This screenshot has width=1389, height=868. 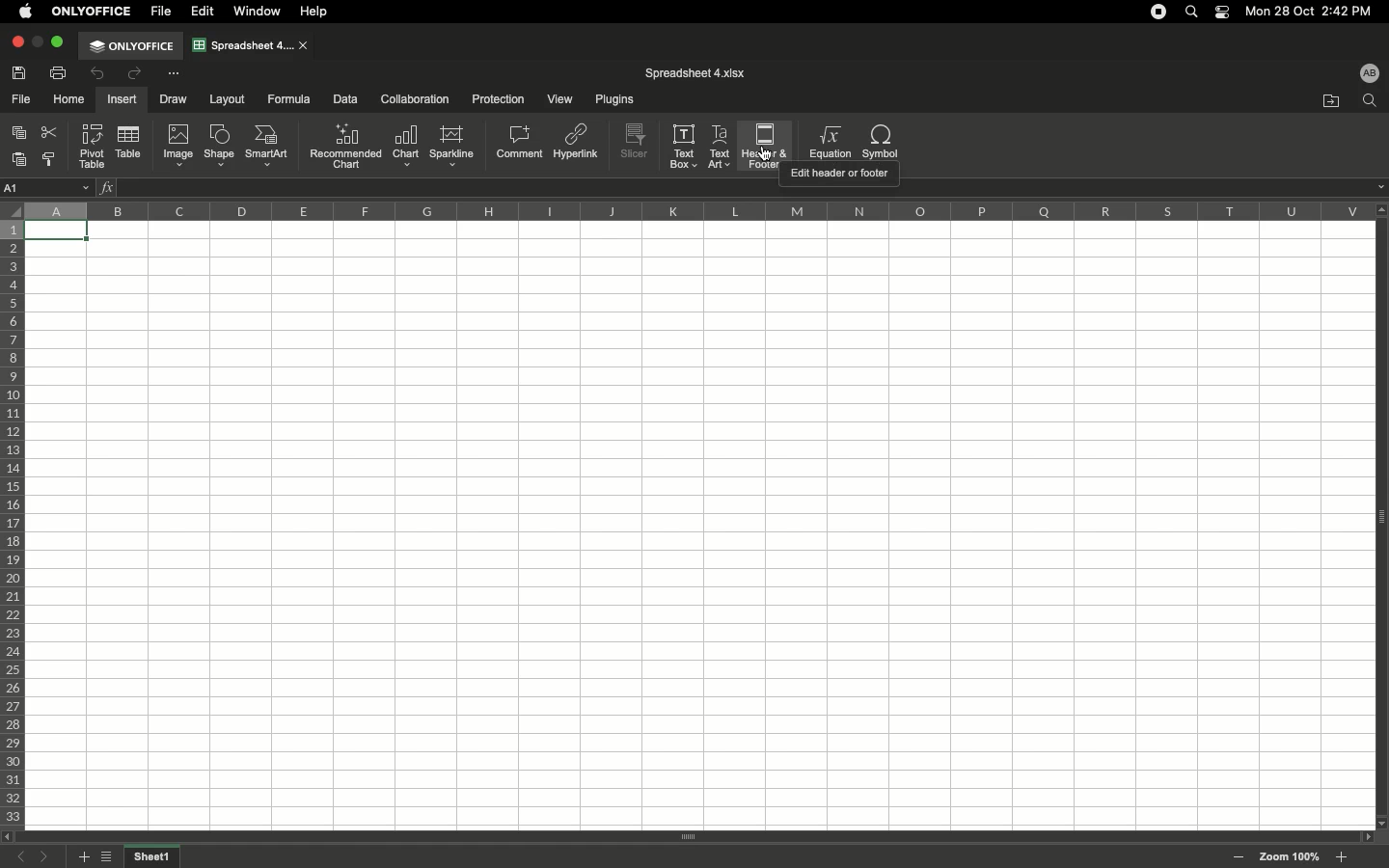 What do you see at coordinates (178, 146) in the screenshot?
I see `Image` at bounding box center [178, 146].